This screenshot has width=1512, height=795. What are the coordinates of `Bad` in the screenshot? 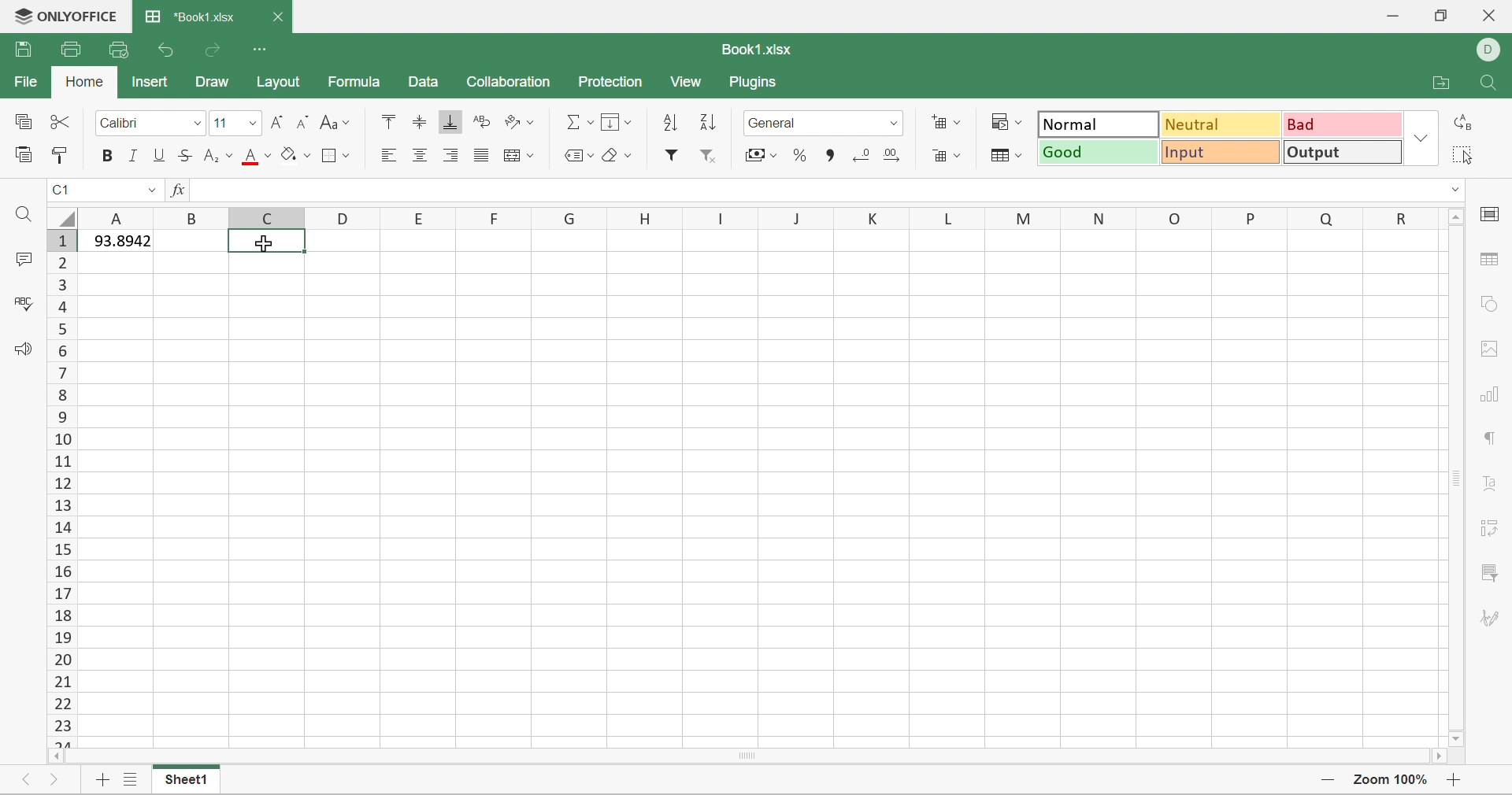 It's located at (1344, 123).